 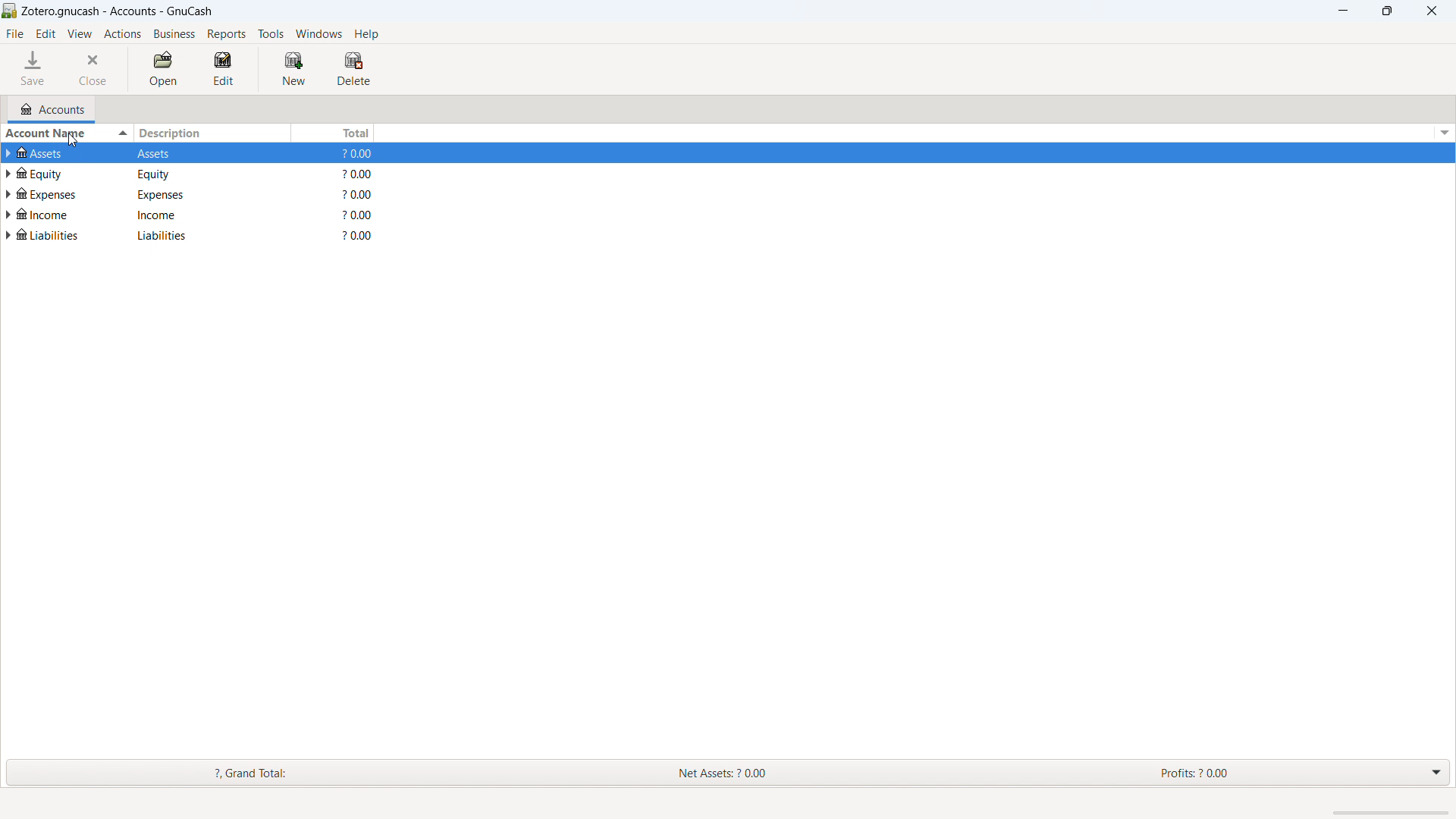 What do you see at coordinates (9, 235) in the screenshot?
I see `expand subaccounts` at bounding box center [9, 235].